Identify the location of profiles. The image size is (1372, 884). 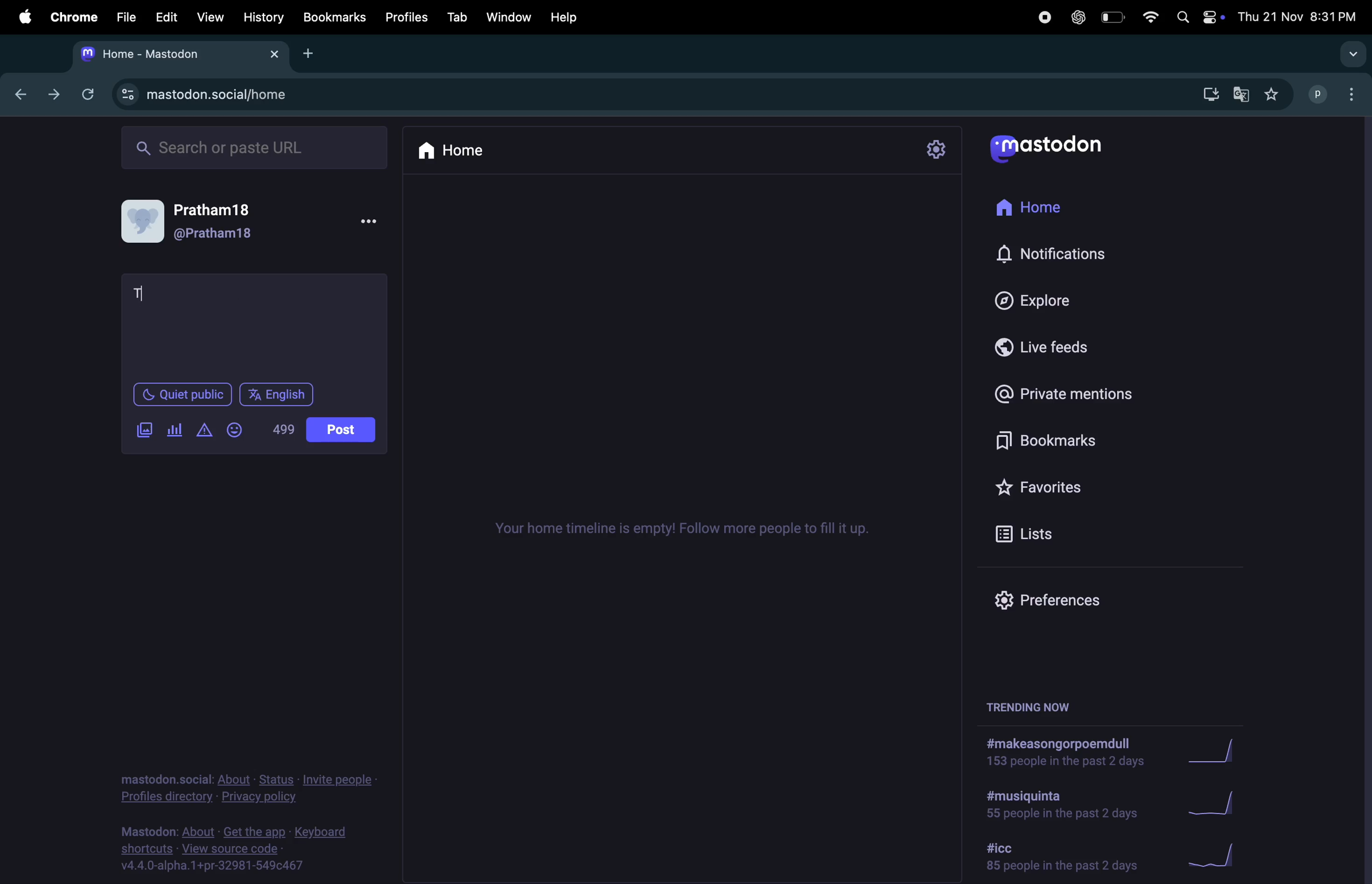
(404, 17).